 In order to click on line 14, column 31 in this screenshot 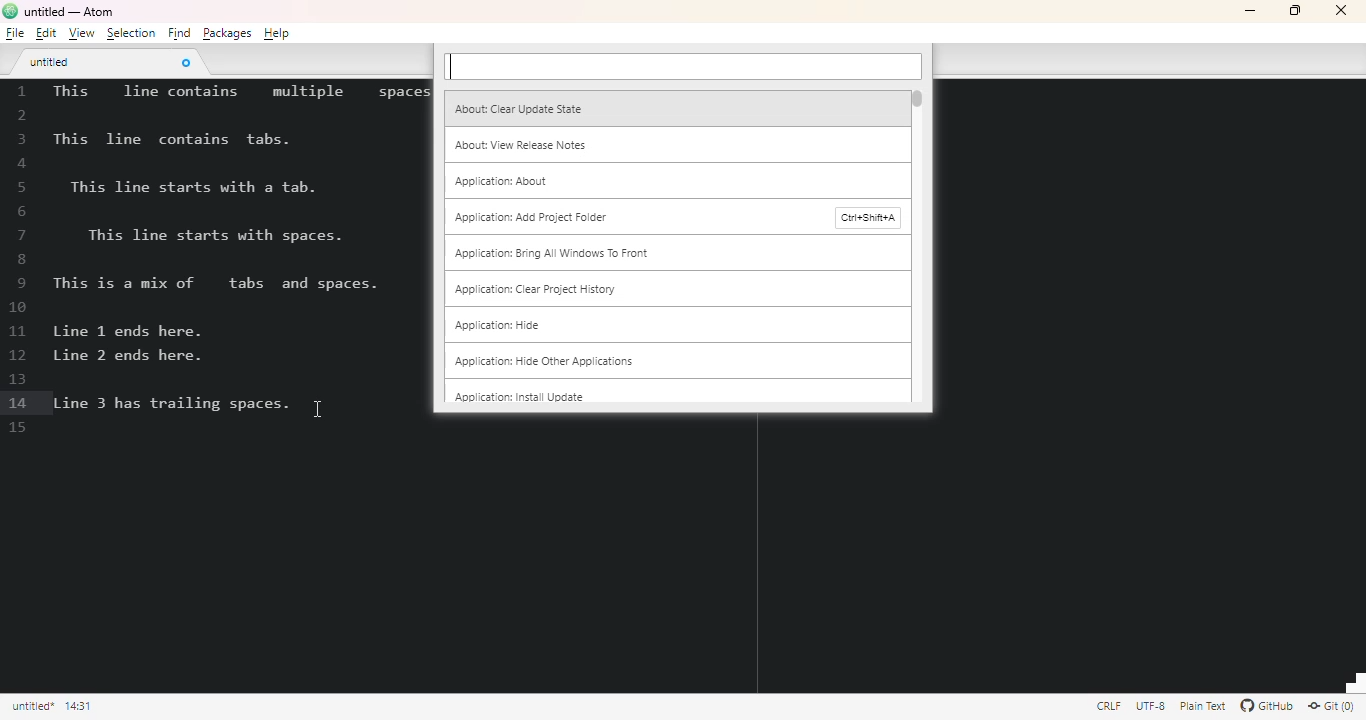, I will do `click(78, 707)`.